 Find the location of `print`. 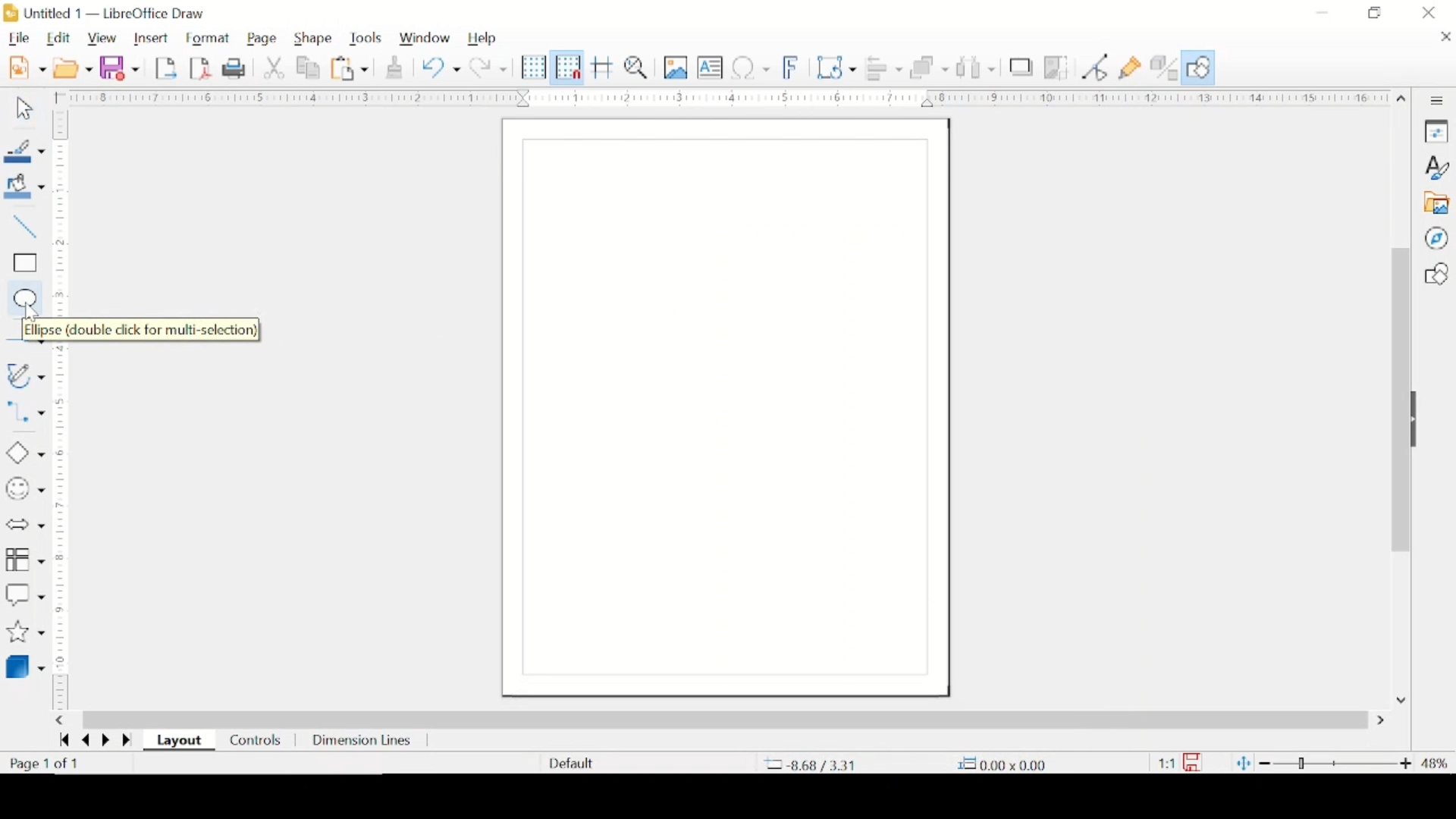

print is located at coordinates (234, 69).